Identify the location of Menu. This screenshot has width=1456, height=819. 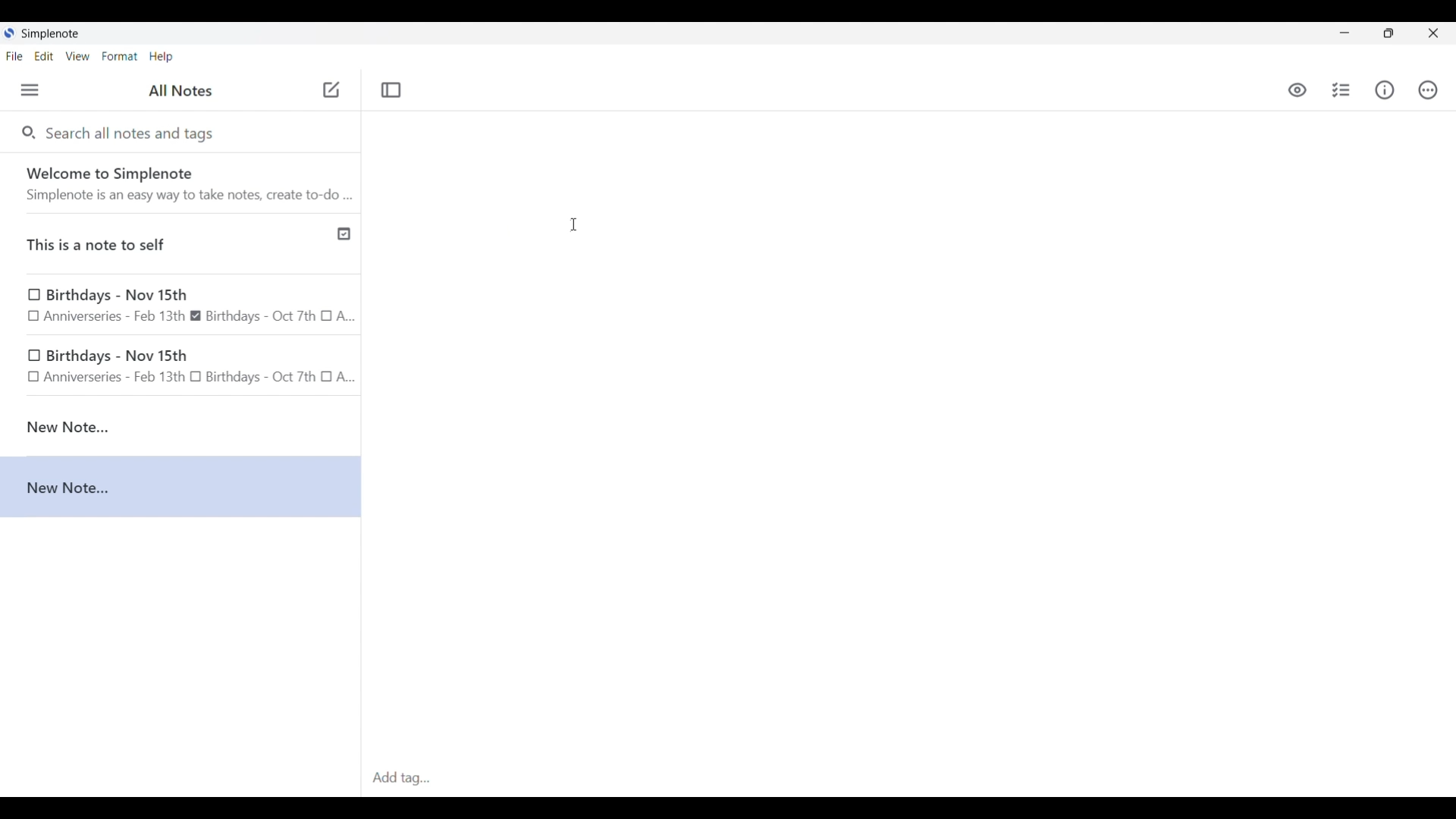
(30, 89).